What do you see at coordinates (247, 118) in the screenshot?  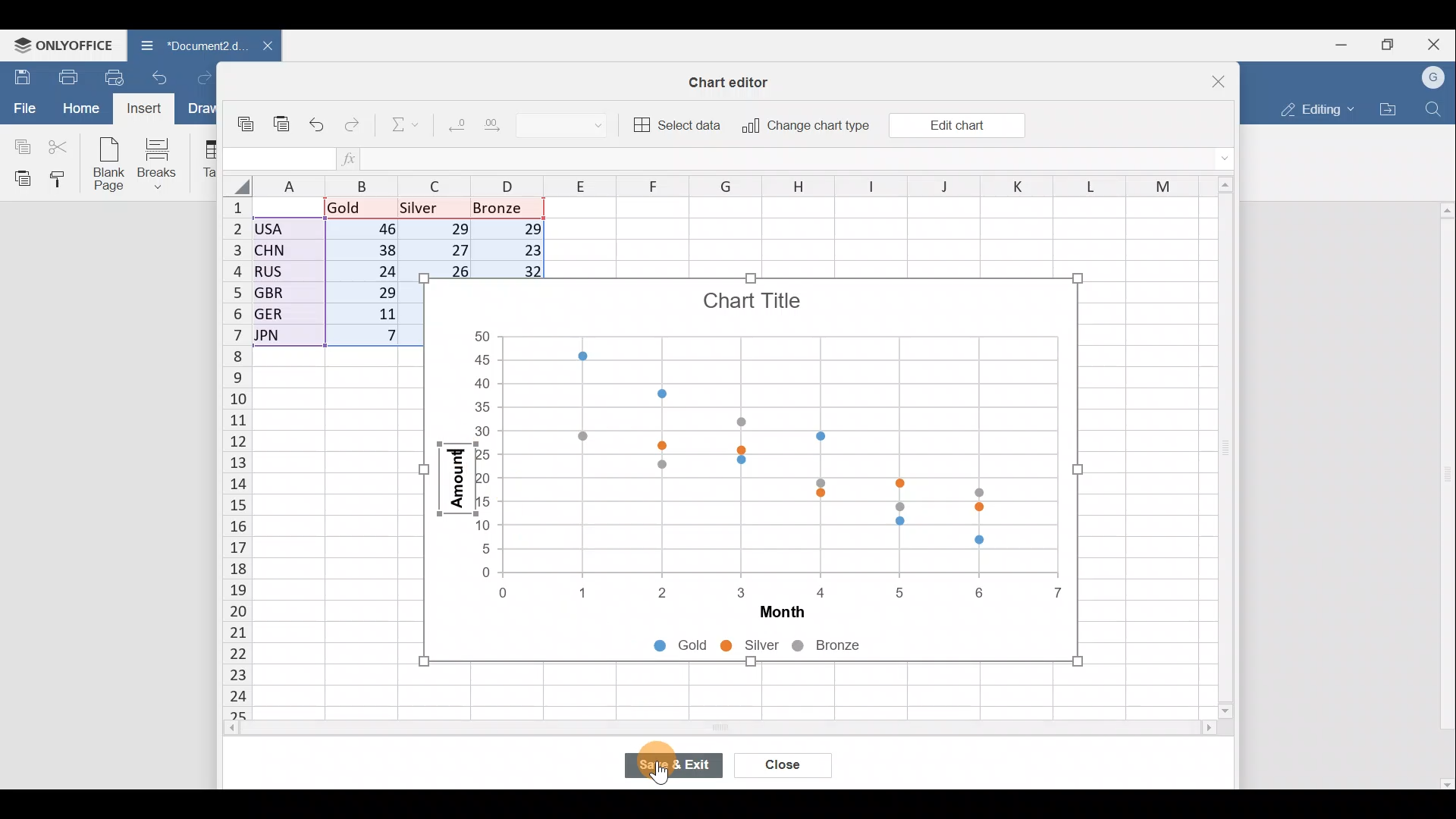 I see `Copy` at bounding box center [247, 118].